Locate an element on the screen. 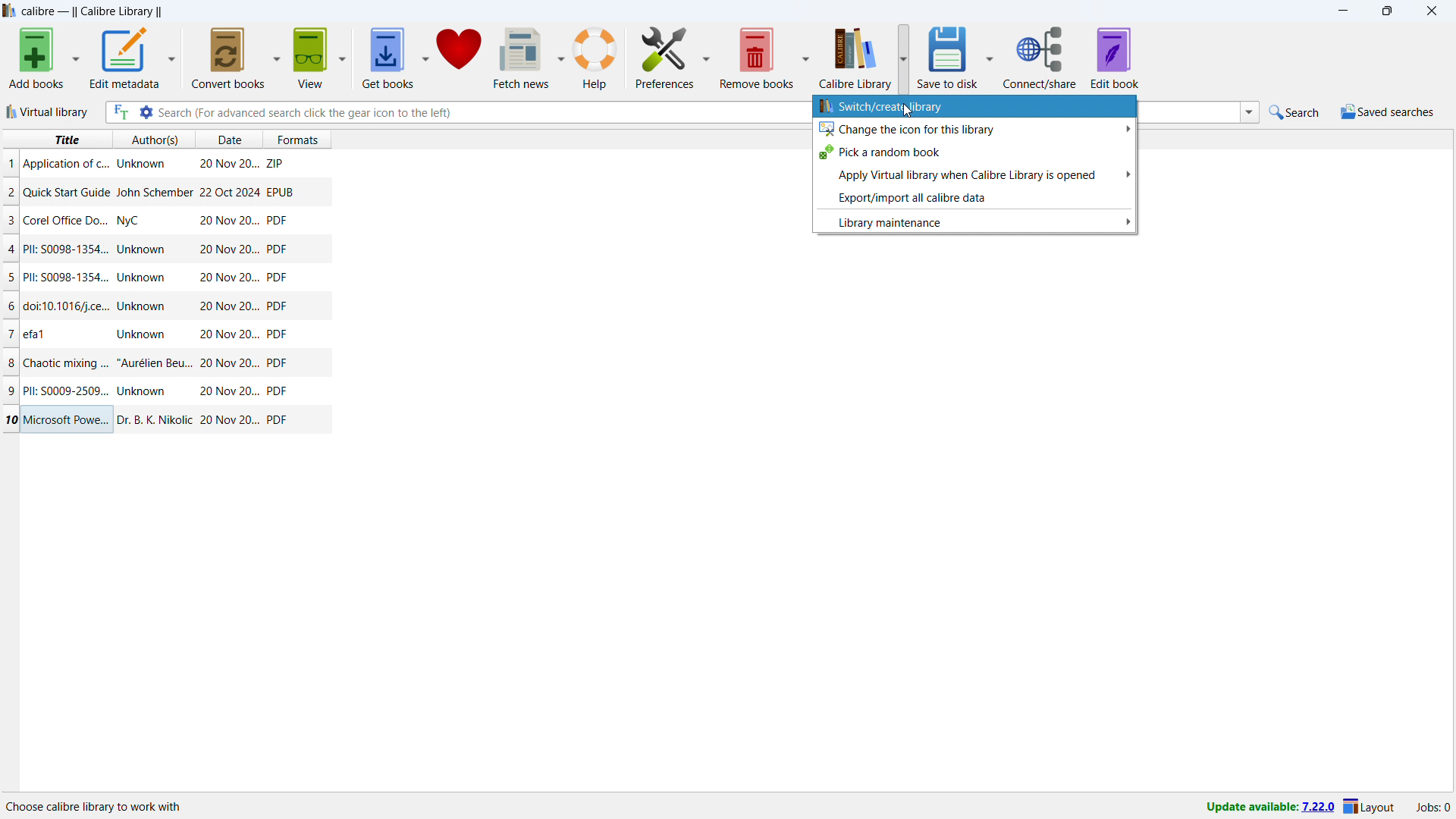  Author is located at coordinates (144, 278).